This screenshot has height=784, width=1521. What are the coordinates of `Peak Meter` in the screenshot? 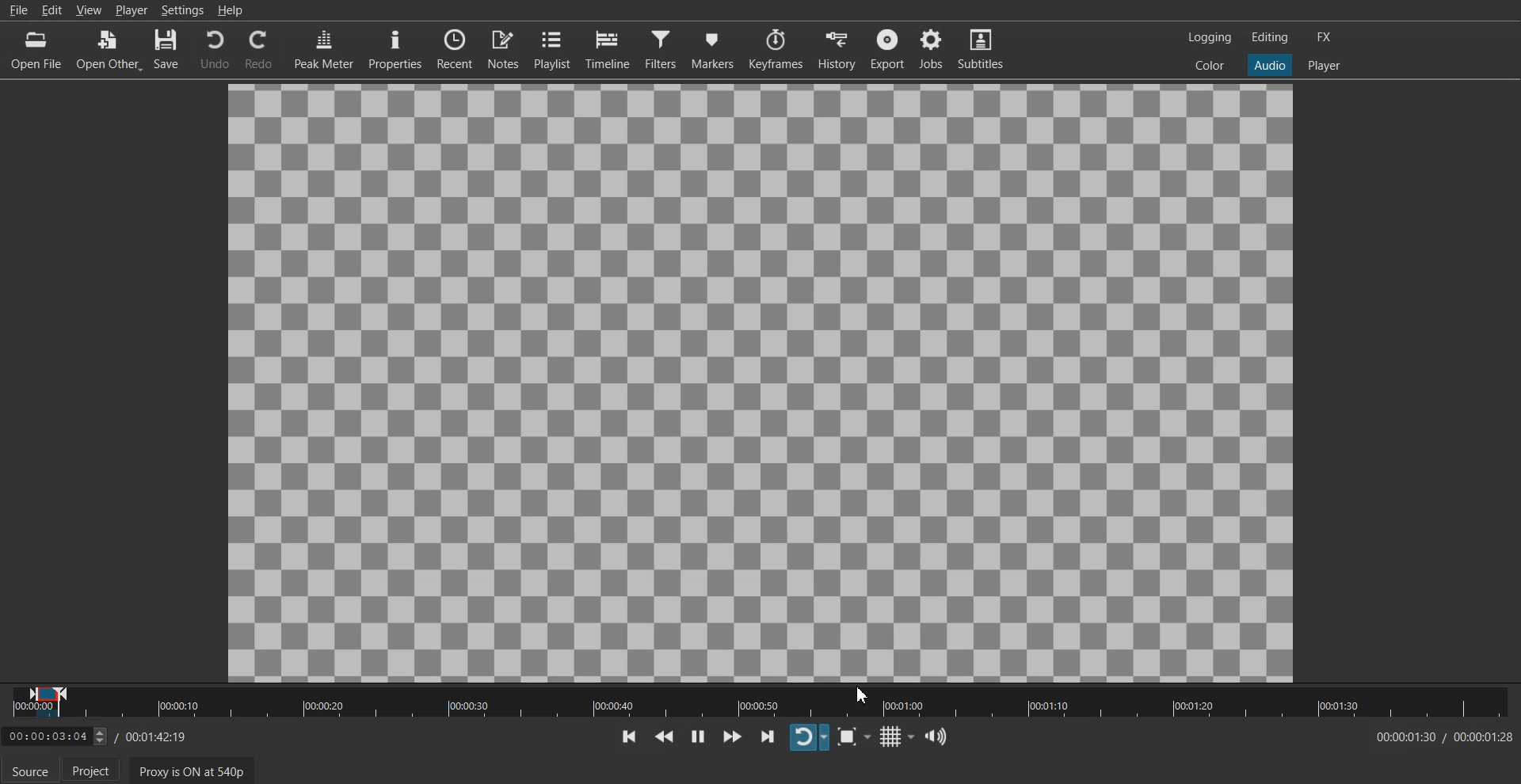 It's located at (322, 48).